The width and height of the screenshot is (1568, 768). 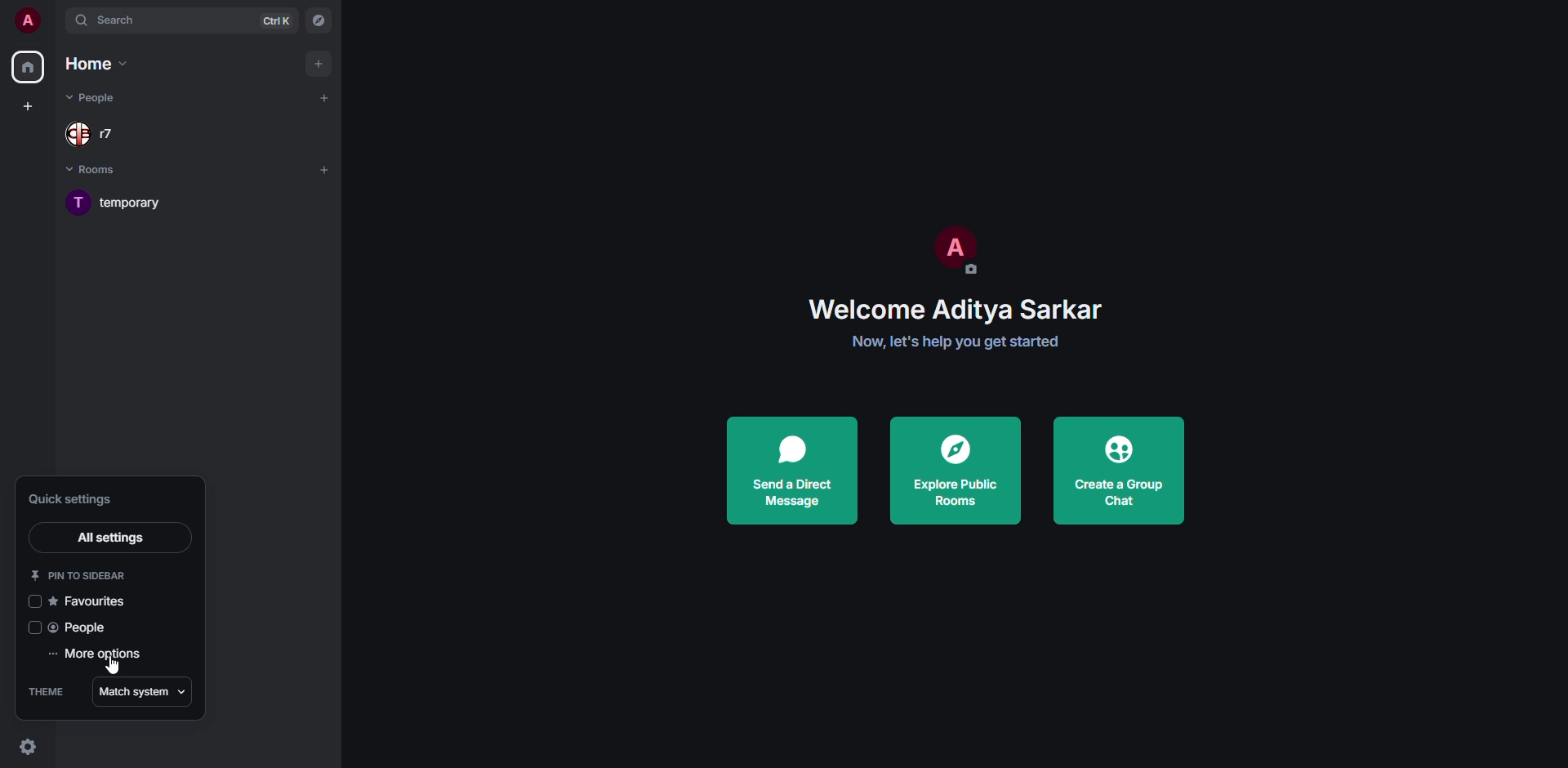 I want to click on ctrl K, so click(x=276, y=21).